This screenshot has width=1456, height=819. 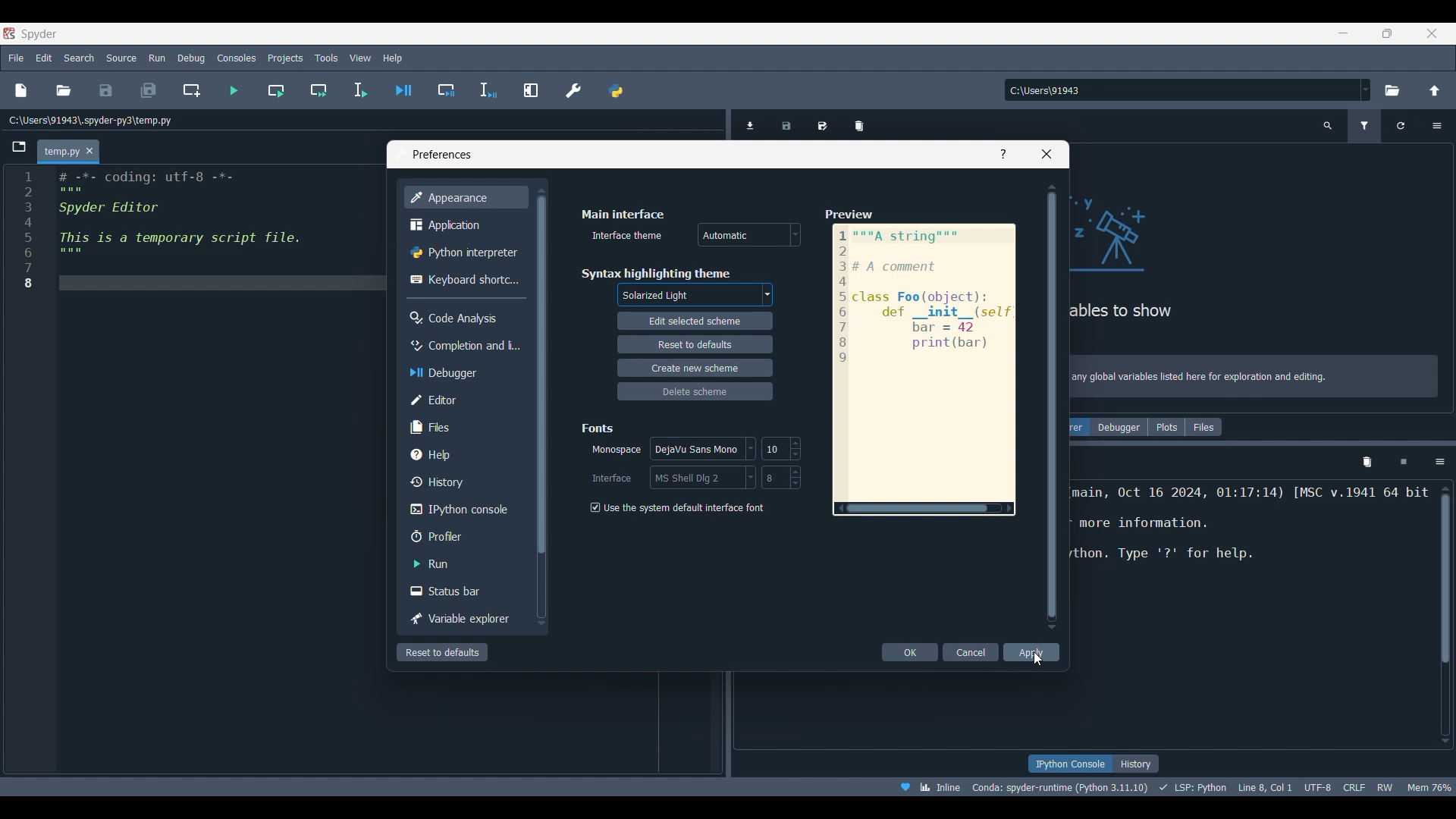 I want to click on Appearance, current selection highlighted, so click(x=466, y=197).